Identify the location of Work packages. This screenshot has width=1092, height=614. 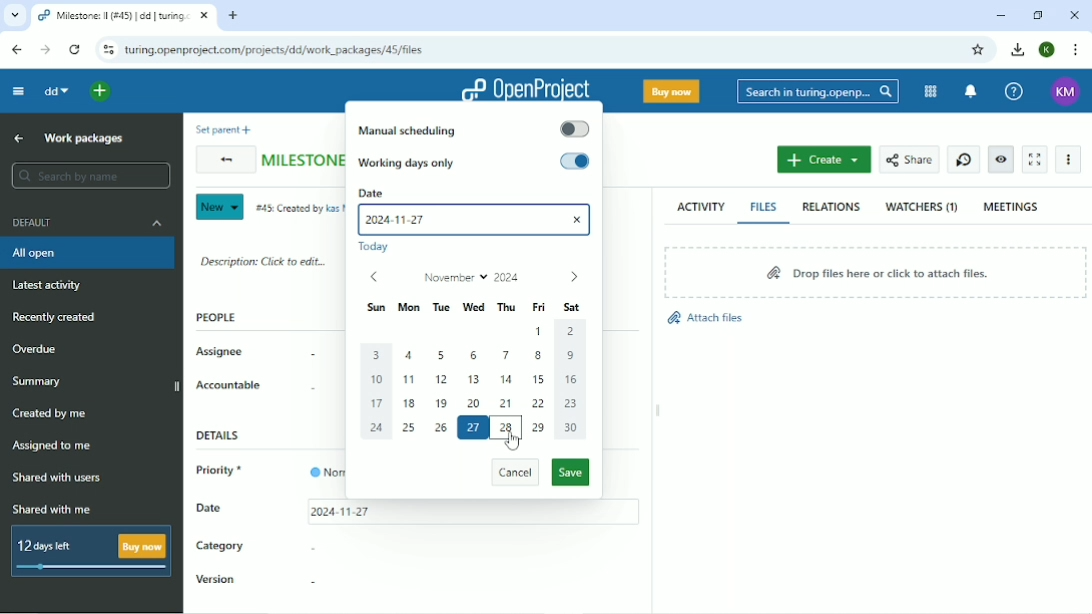
(84, 138).